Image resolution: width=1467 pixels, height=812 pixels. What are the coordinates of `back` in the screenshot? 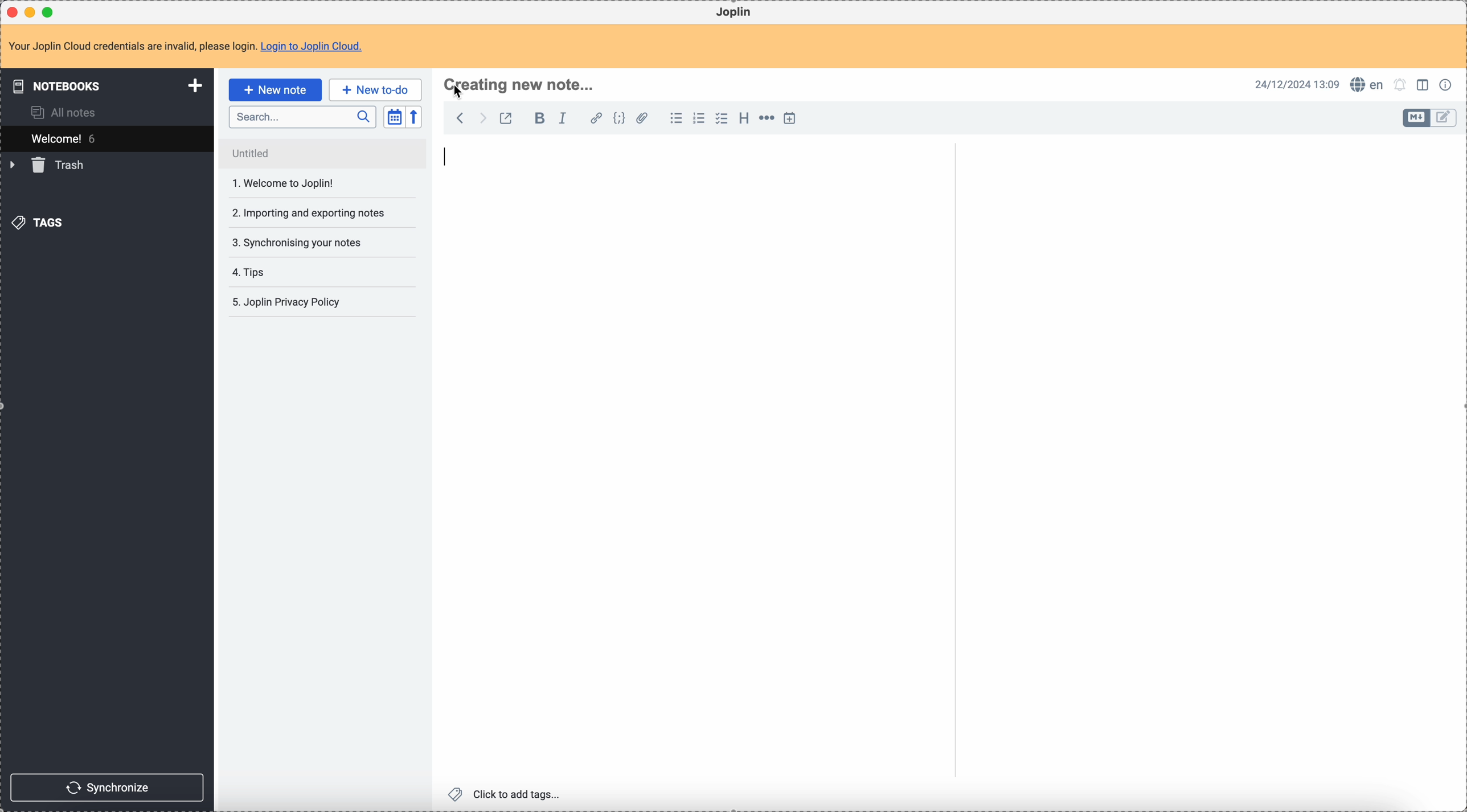 It's located at (460, 118).